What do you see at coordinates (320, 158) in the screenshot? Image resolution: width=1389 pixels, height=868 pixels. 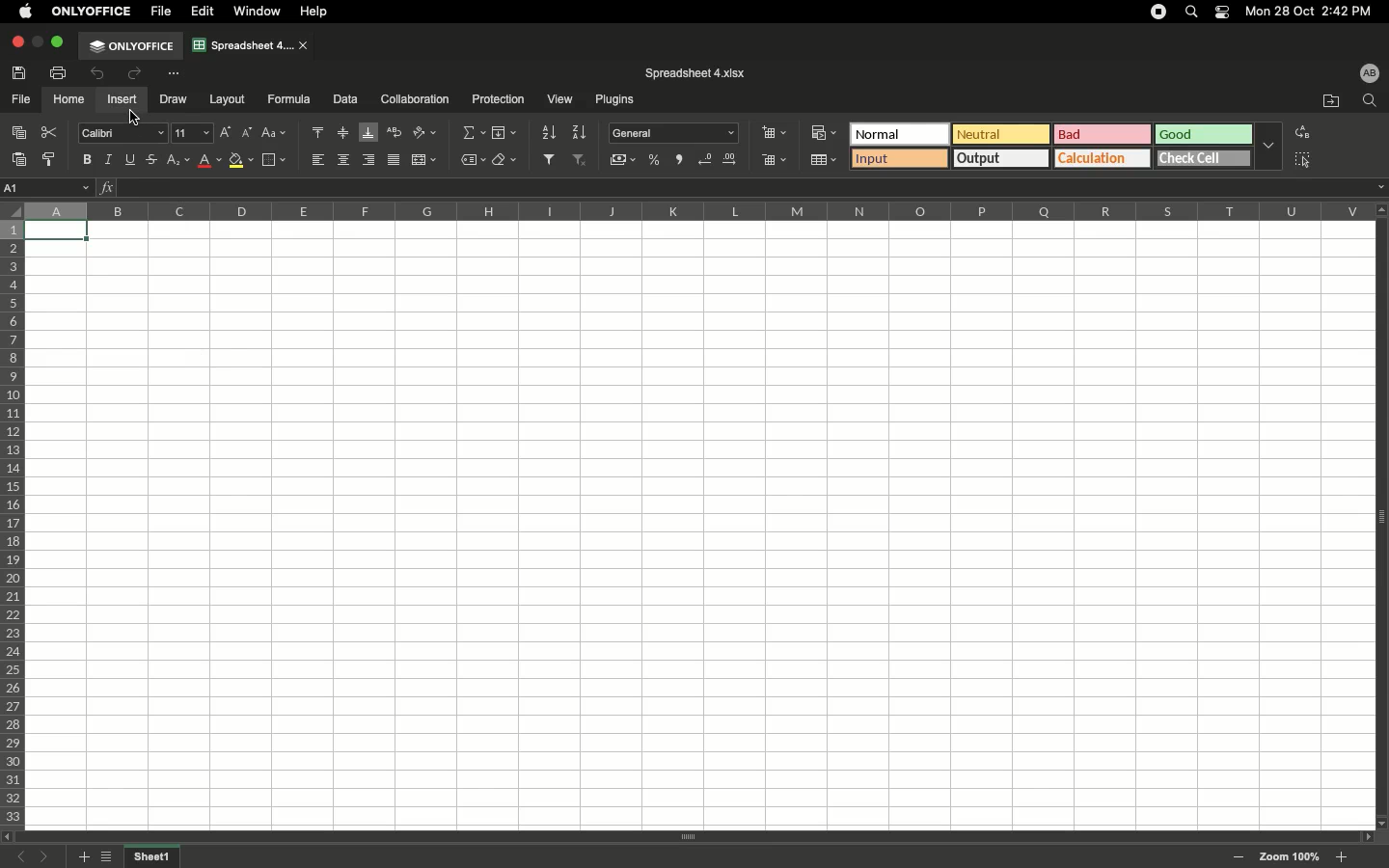 I see `Align left` at bounding box center [320, 158].